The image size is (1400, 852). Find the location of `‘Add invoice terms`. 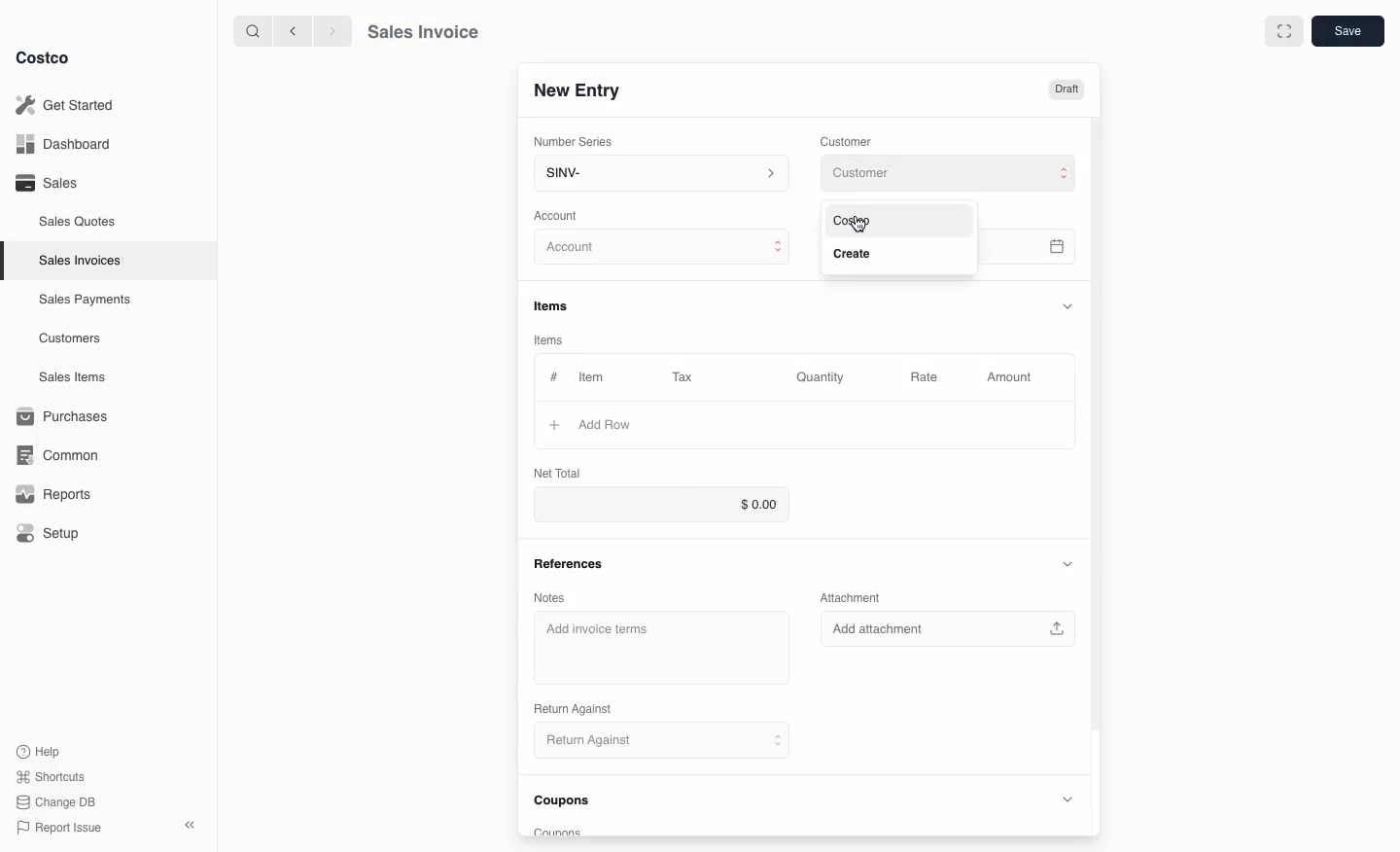

‘Add invoice terms is located at coordinates (601, 630).